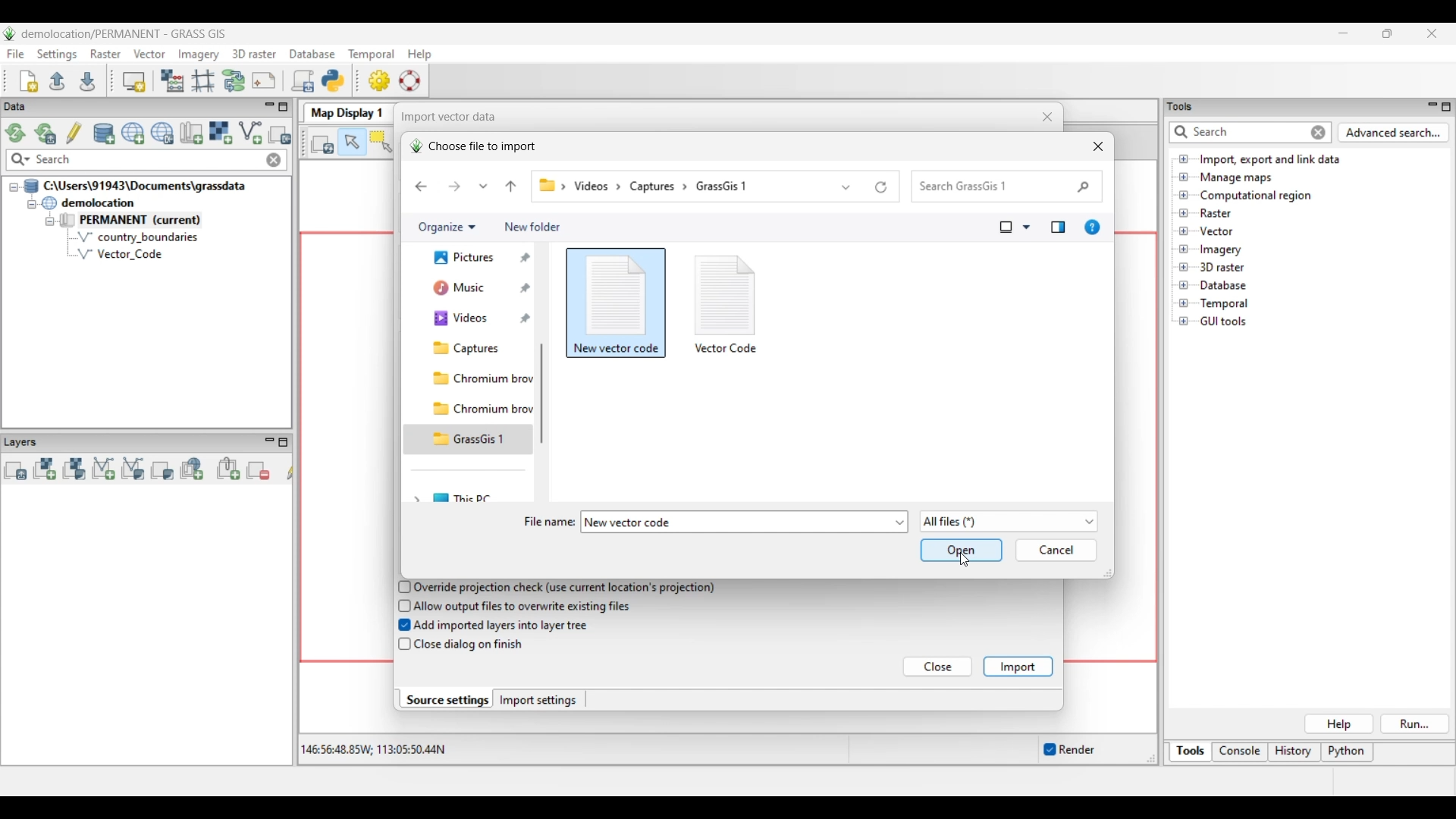 The width and height of the screenshot is (1456, 819). I want to click on Create new workspace, so click(30, 81).